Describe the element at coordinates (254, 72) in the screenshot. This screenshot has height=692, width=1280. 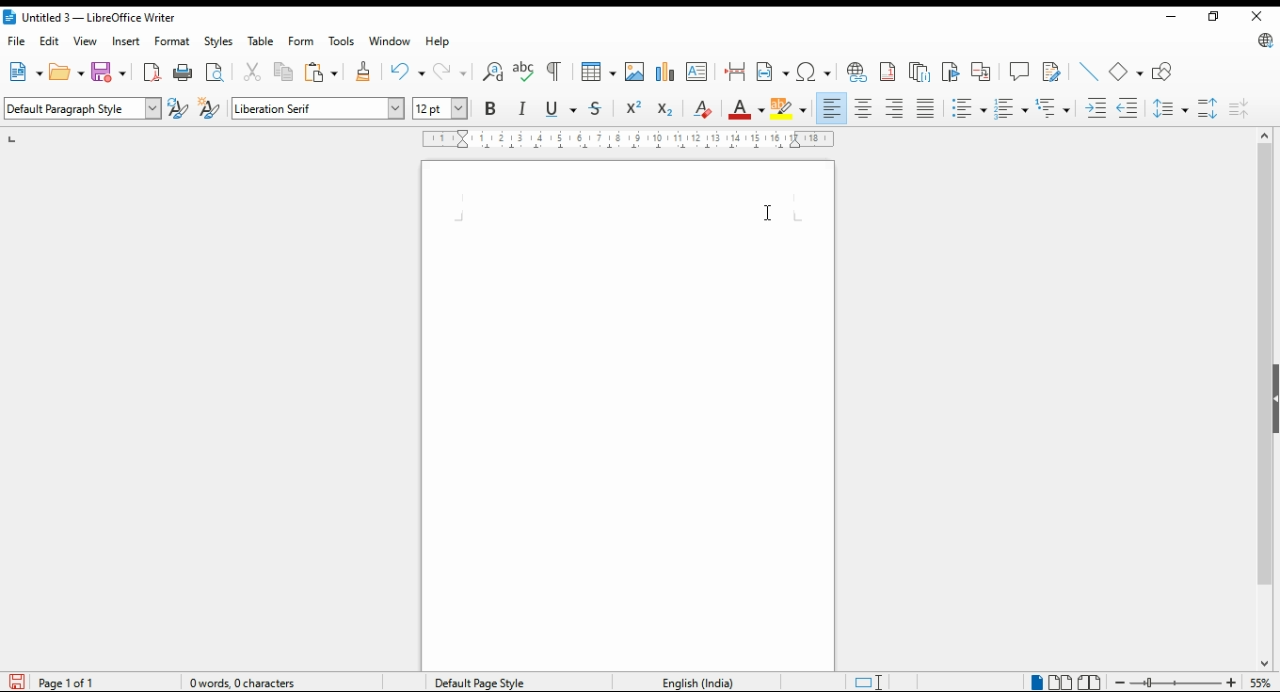
I see `cut` at that location.